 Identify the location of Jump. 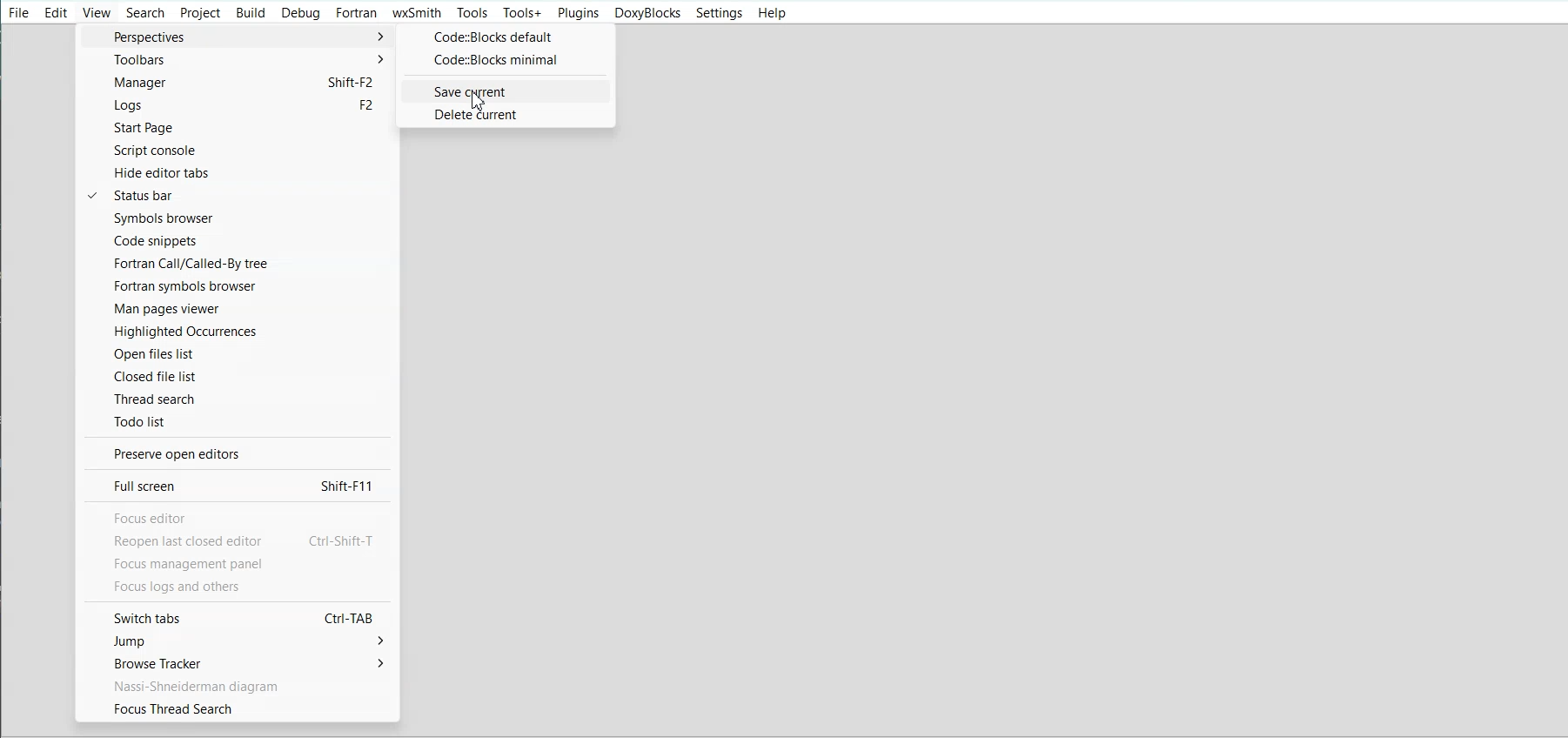
(245, 641).